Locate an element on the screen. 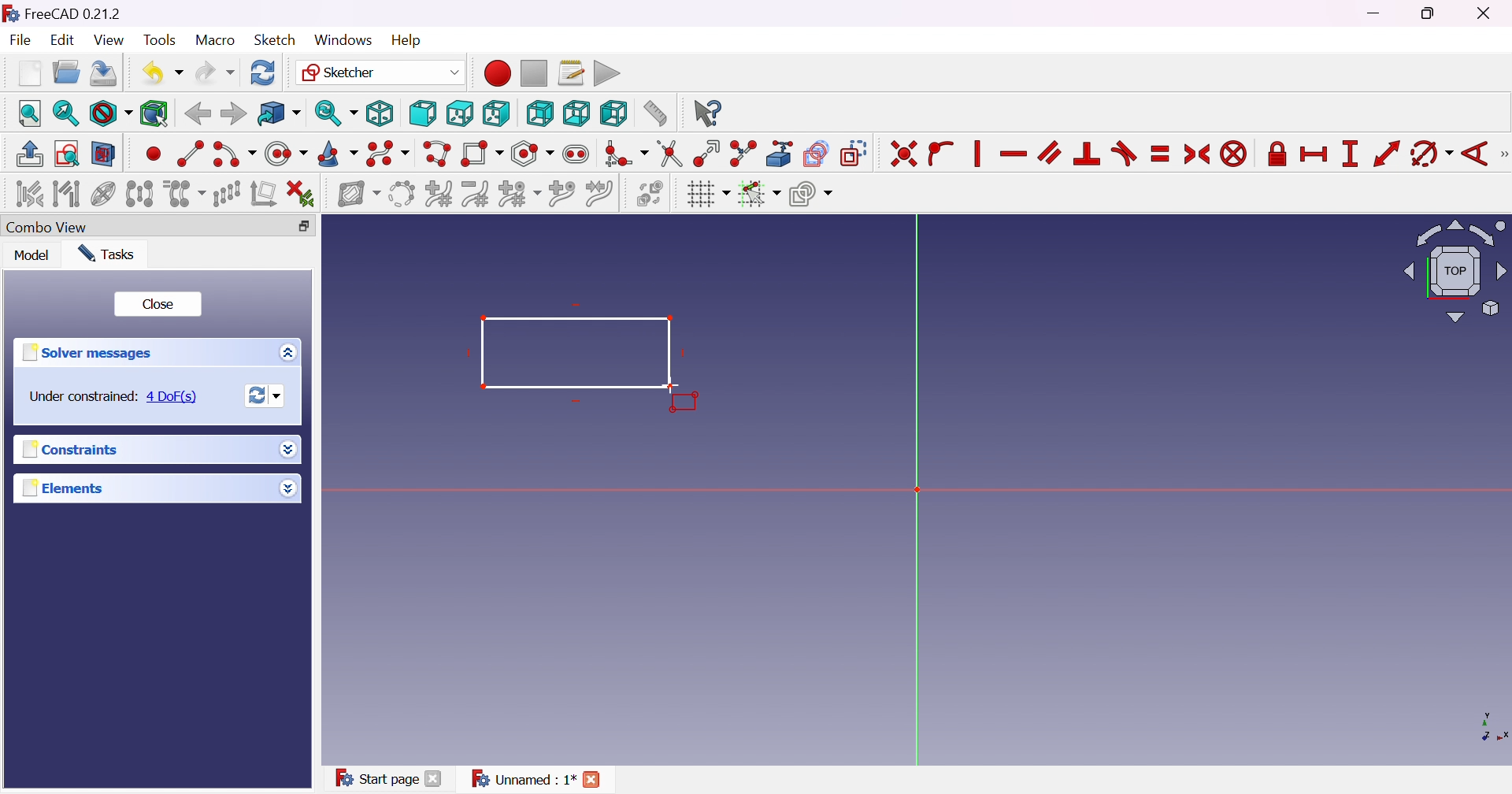  Refresh is located at coordinates (265, 72).